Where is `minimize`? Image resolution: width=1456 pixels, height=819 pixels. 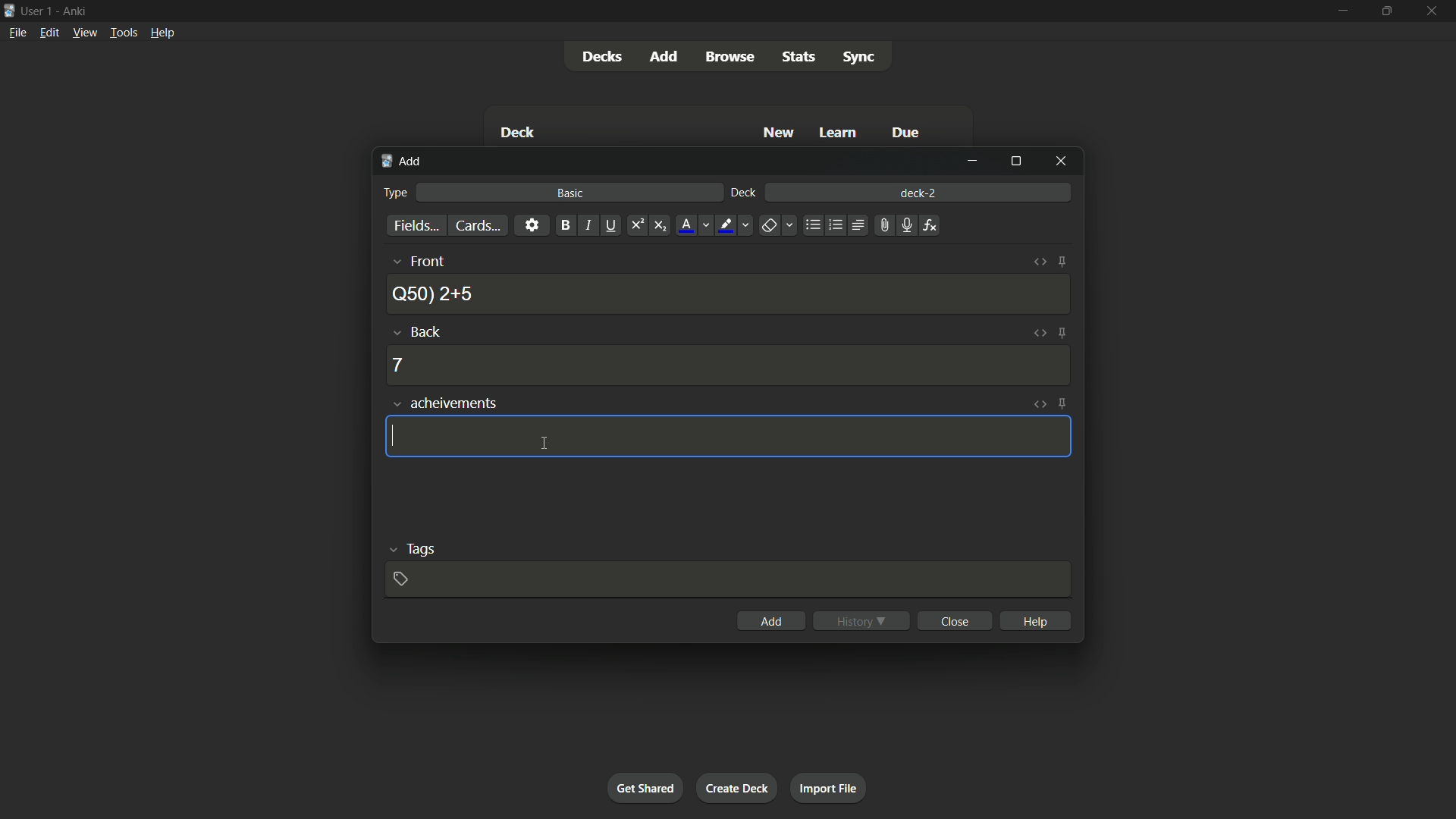
minimize is located at coordinates (972, 162).